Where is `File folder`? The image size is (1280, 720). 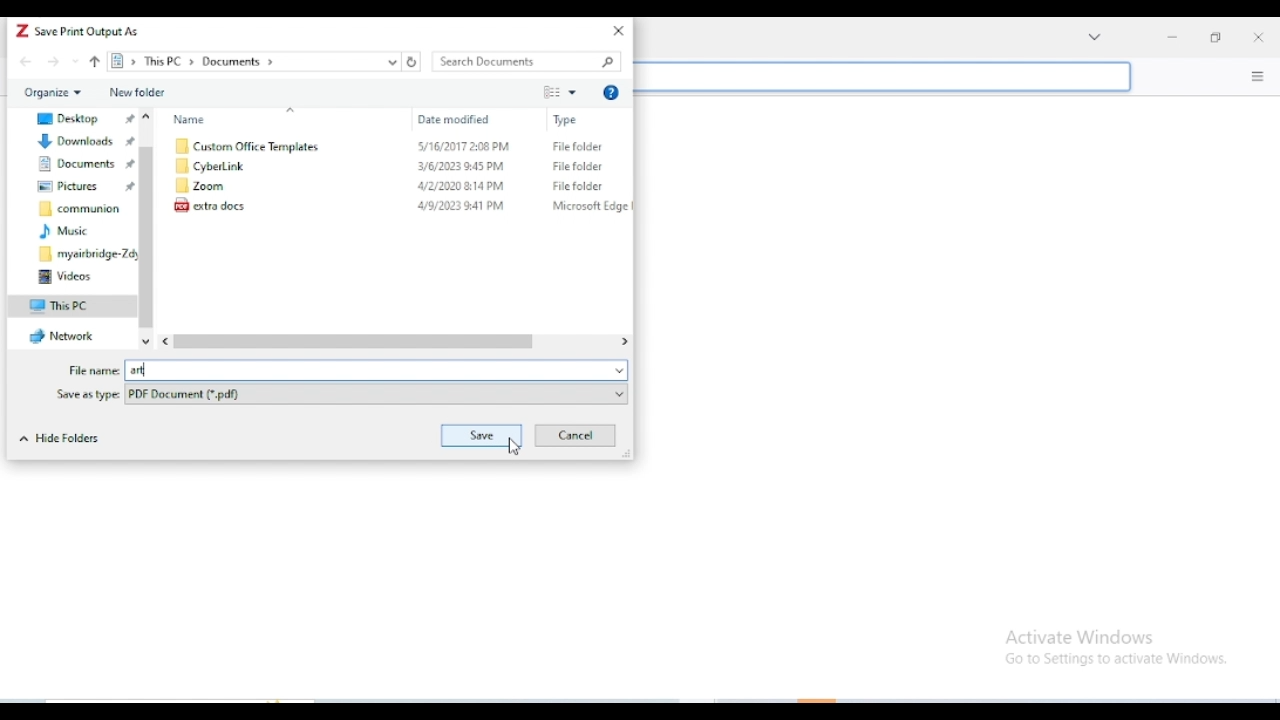 File folder is located at coordinates (581, 147).